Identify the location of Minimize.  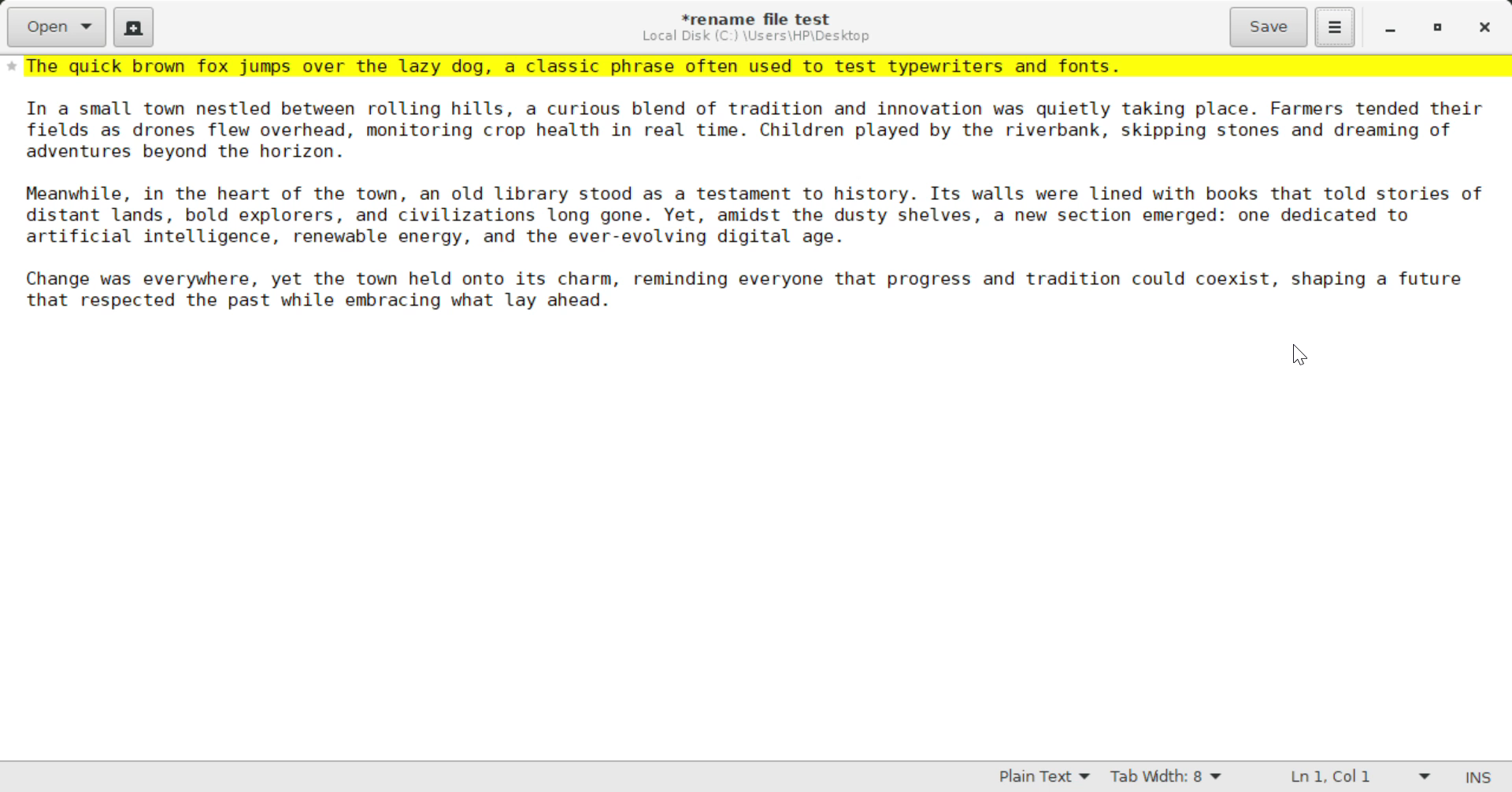
(1440, 30).